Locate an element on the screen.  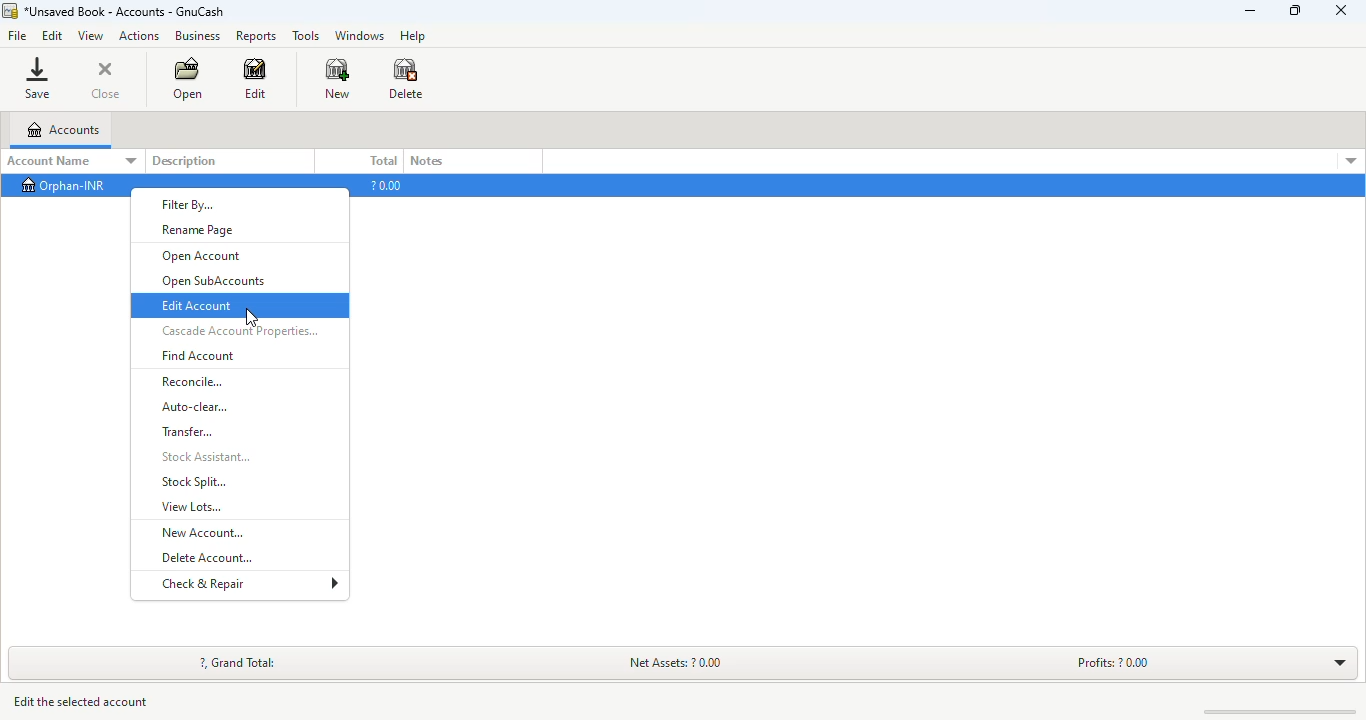
new is located at coordinates (336, 78).